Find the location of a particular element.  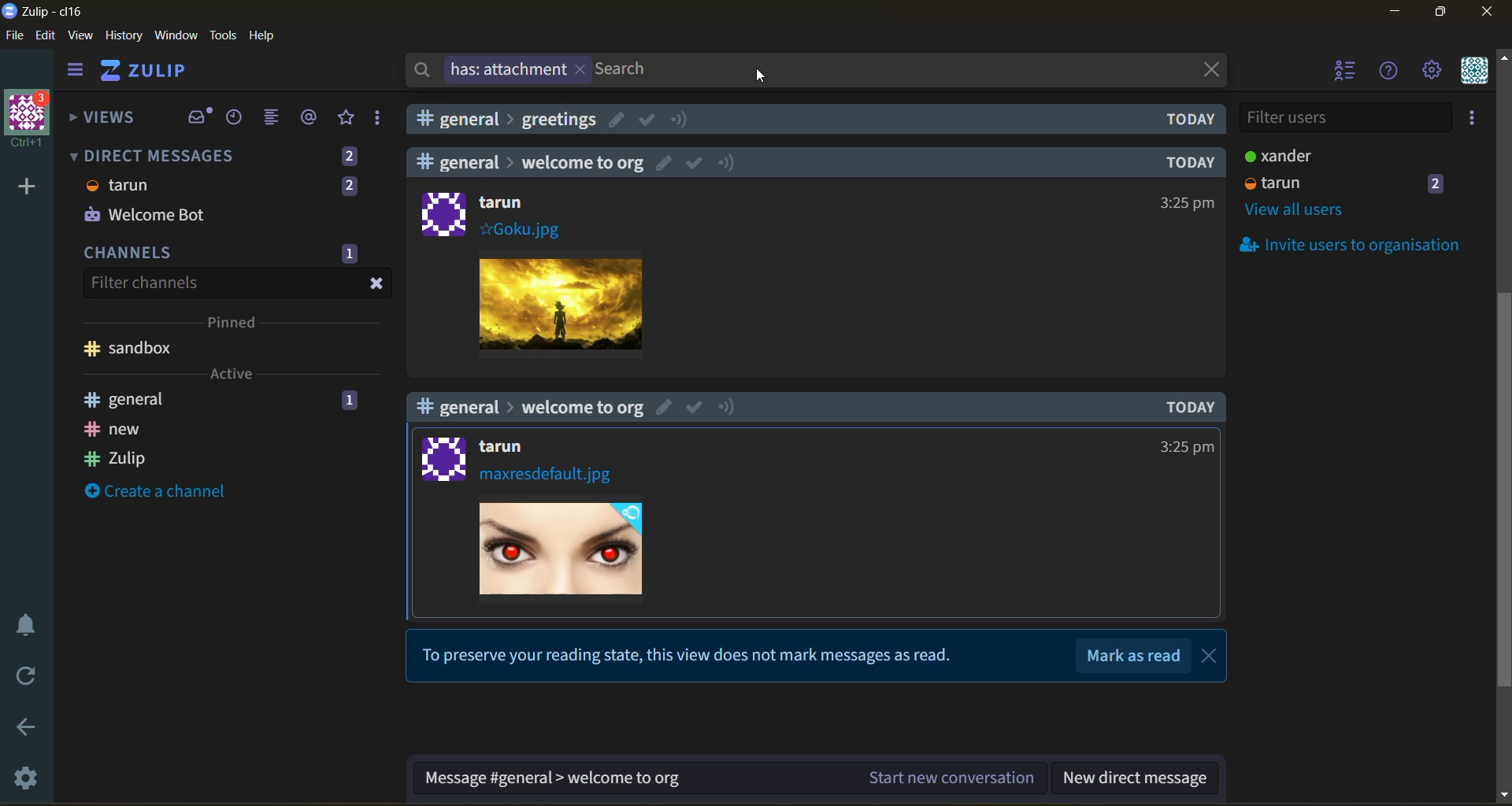

mark is located at coordinates (647, 120).